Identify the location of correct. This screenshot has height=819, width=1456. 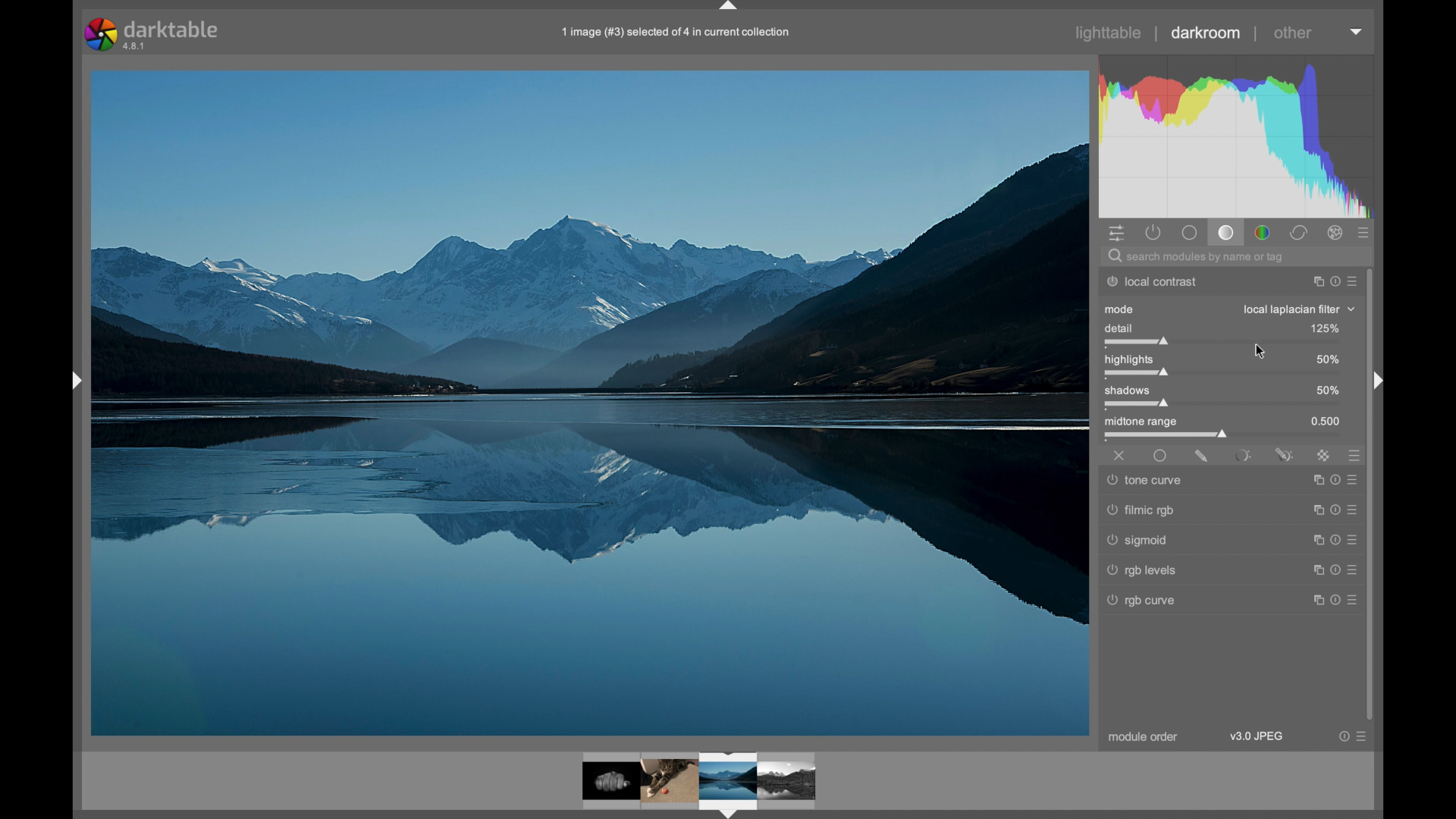
(1298, 233).